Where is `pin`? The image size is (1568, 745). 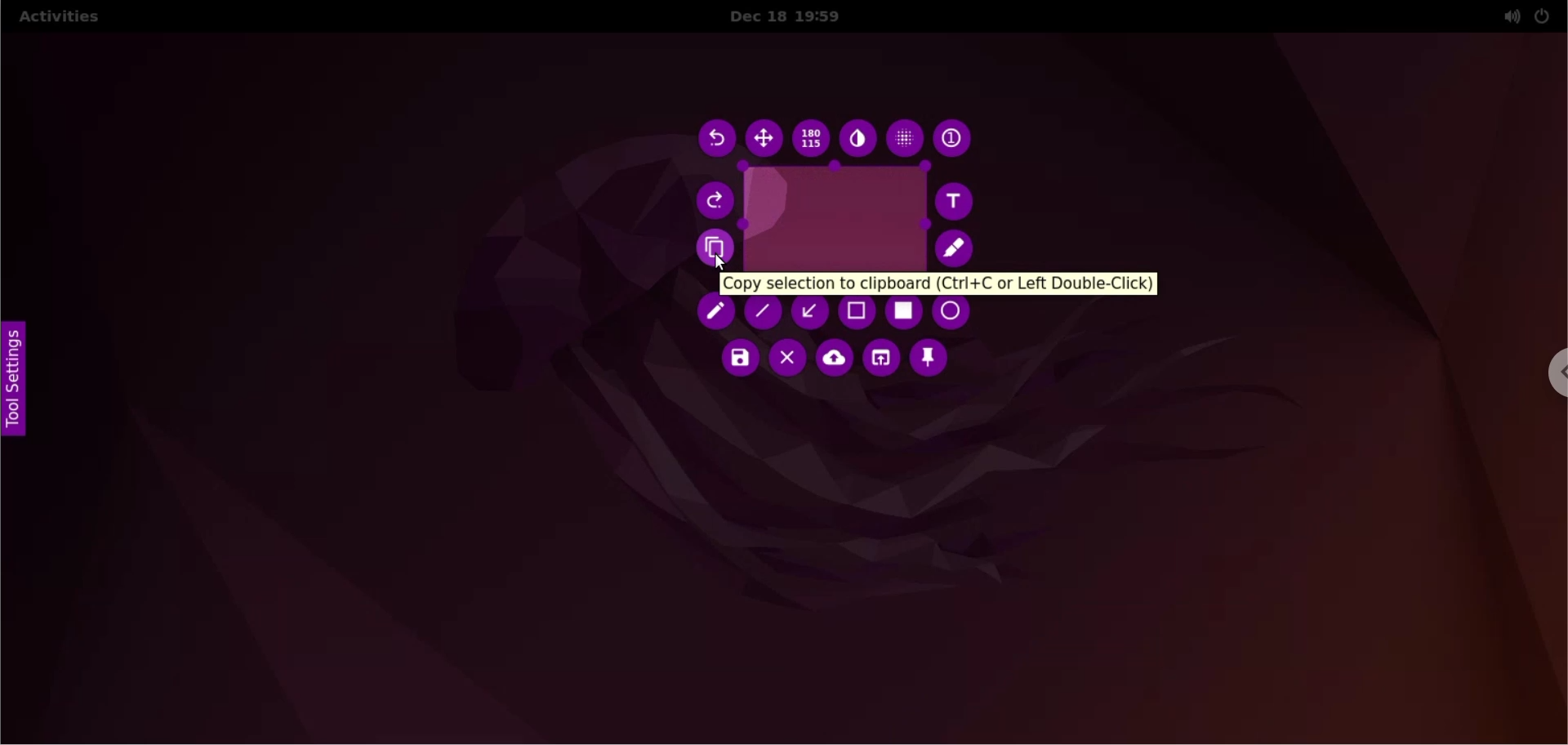
pin is located at coordinates (934, 356).